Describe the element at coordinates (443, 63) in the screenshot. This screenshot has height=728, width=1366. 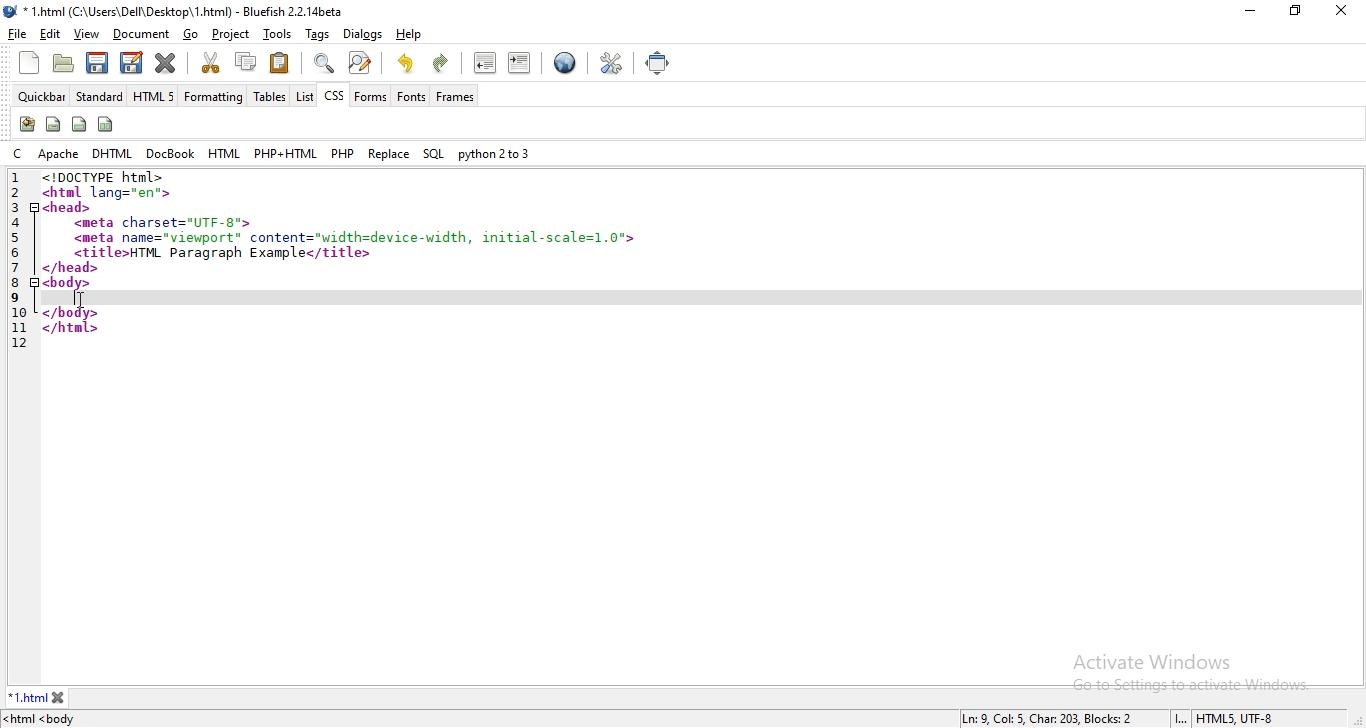
I see `redo` at that location.